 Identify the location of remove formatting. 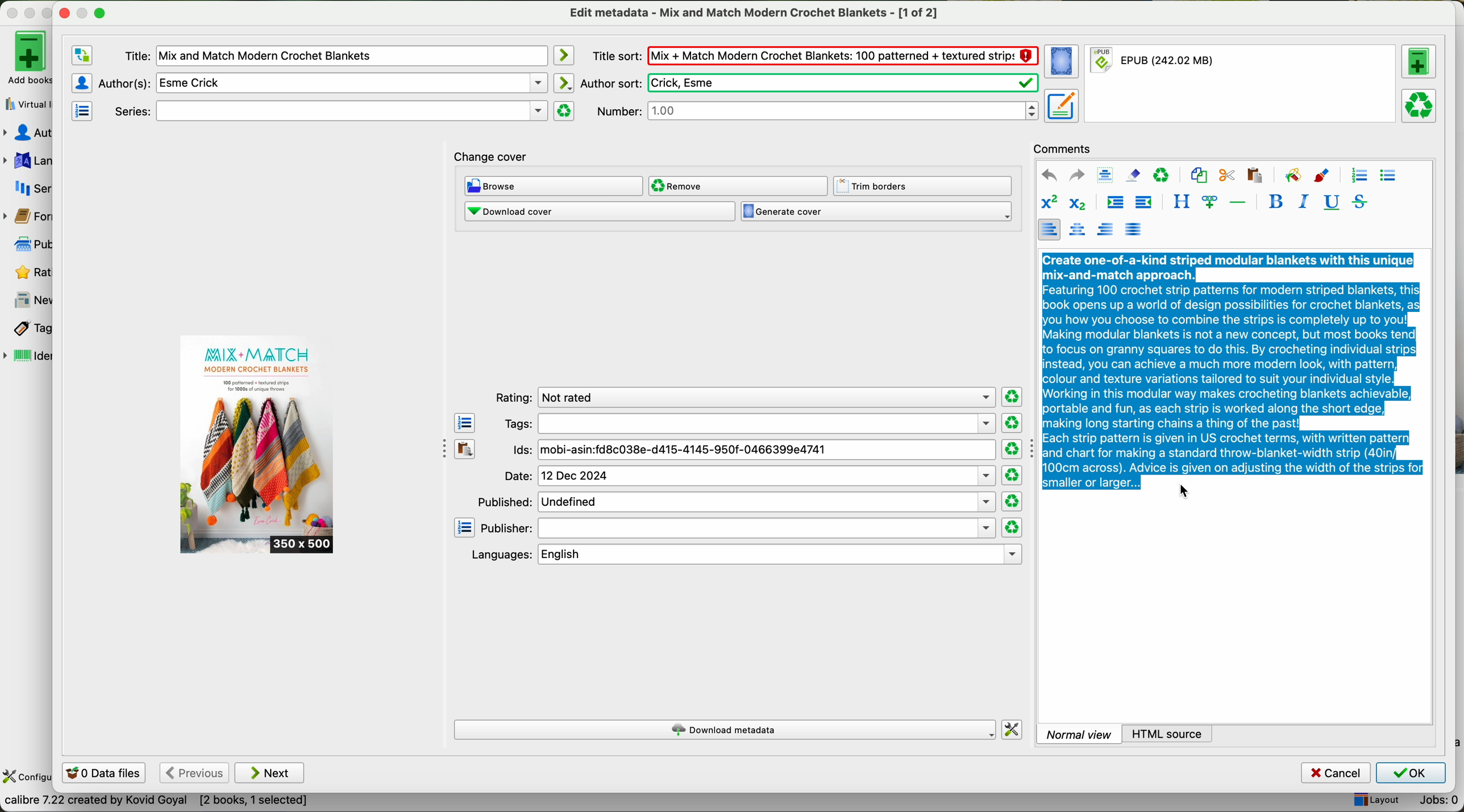
(1133, 174).